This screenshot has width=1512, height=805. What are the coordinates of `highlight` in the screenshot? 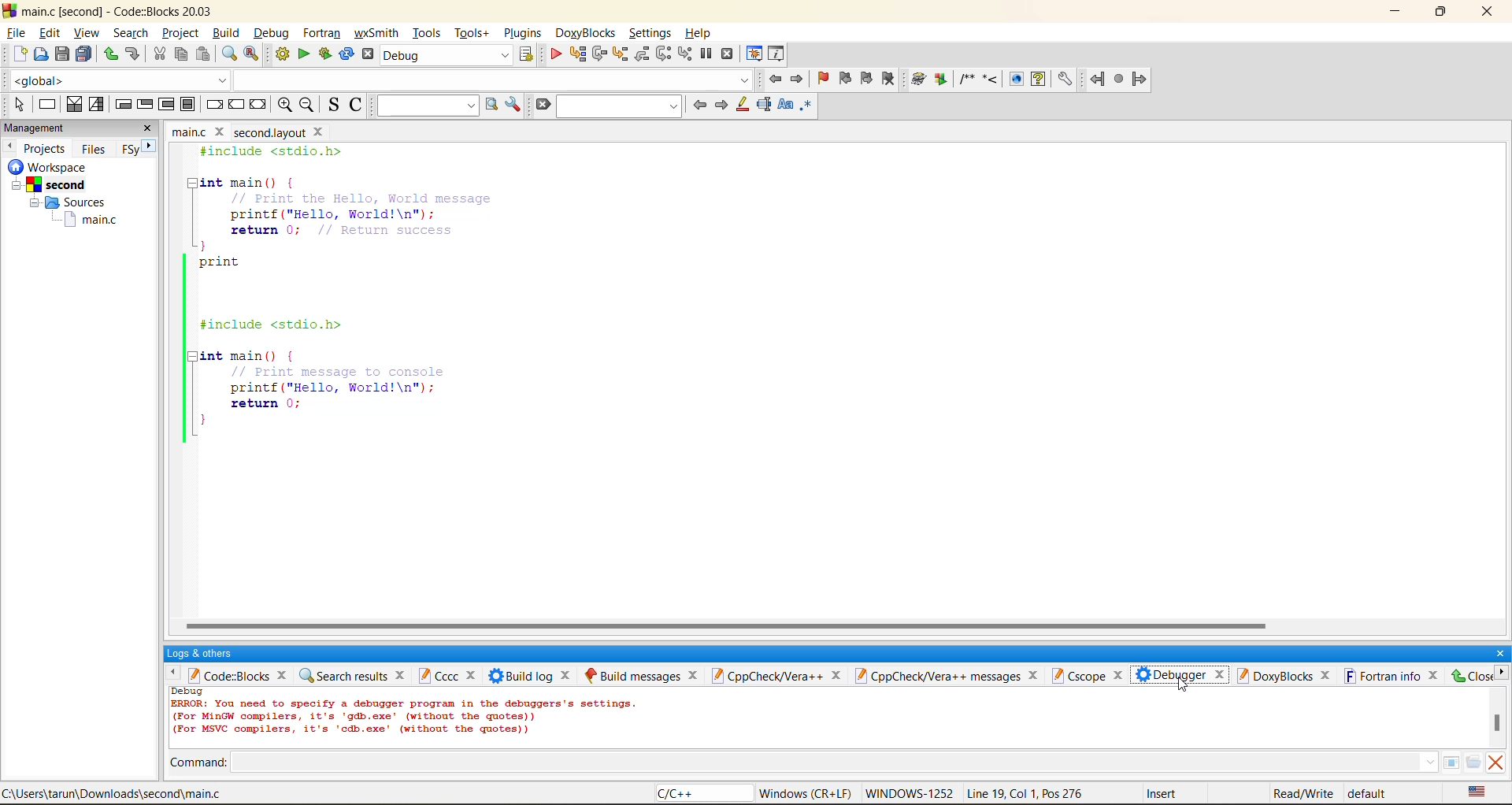 It's located at (742, 108).